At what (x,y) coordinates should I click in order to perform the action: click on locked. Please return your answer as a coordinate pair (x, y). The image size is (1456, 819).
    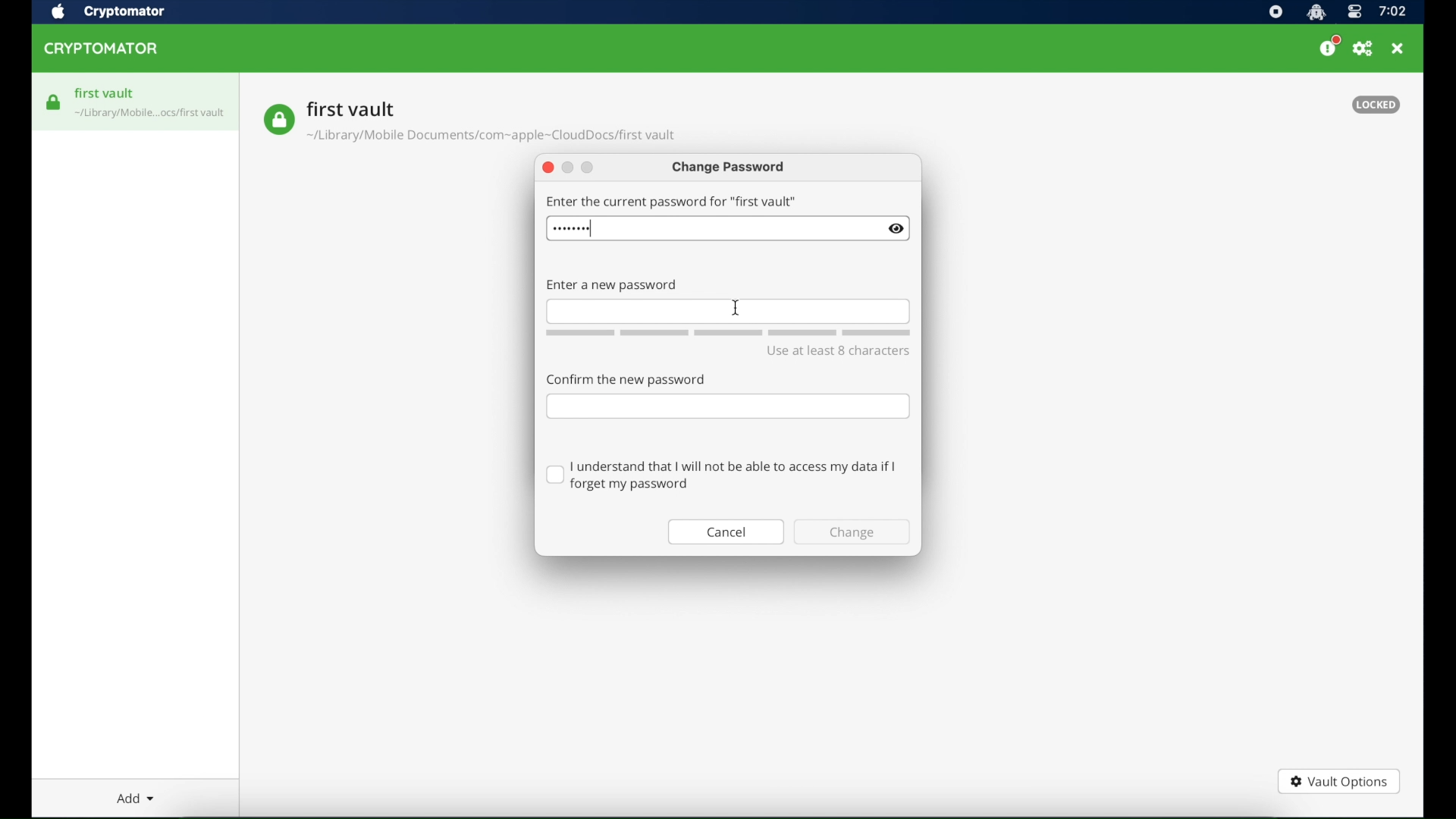
    Looking at the image, I should click on (1376, 105).